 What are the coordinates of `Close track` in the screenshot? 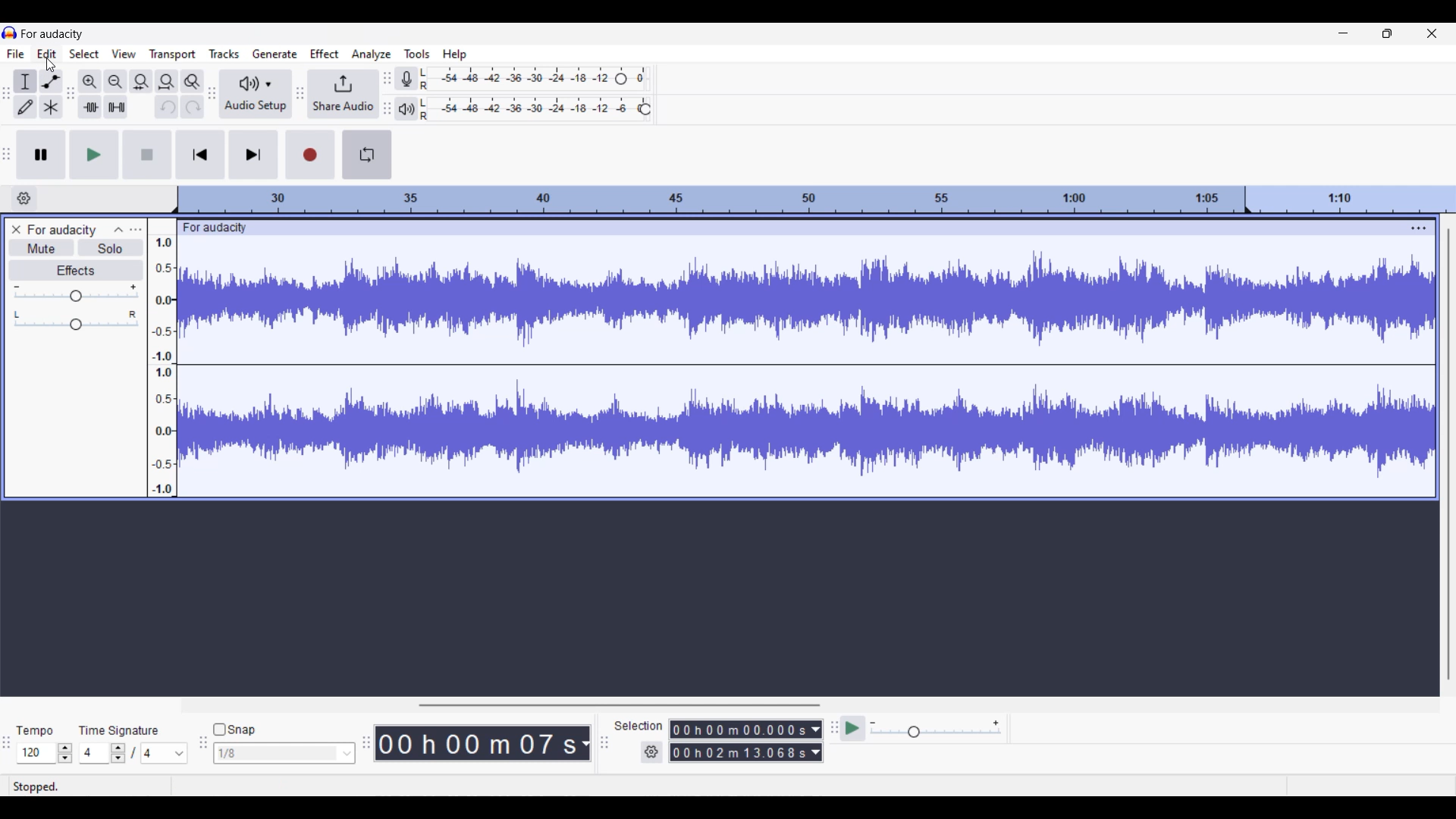 It's located at (16, 229).